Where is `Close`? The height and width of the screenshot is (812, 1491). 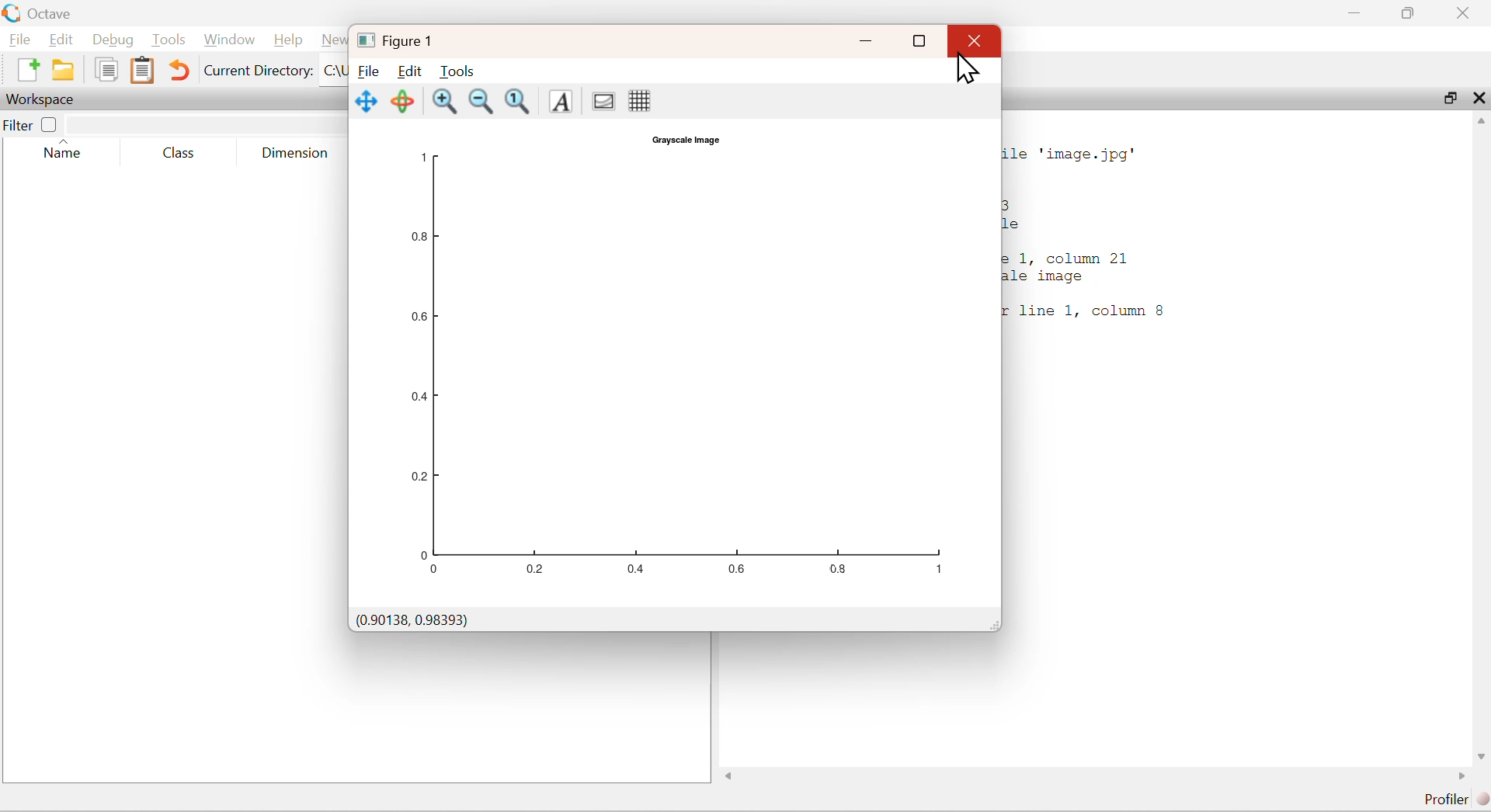 Close is located at coordinates (1480, 99).